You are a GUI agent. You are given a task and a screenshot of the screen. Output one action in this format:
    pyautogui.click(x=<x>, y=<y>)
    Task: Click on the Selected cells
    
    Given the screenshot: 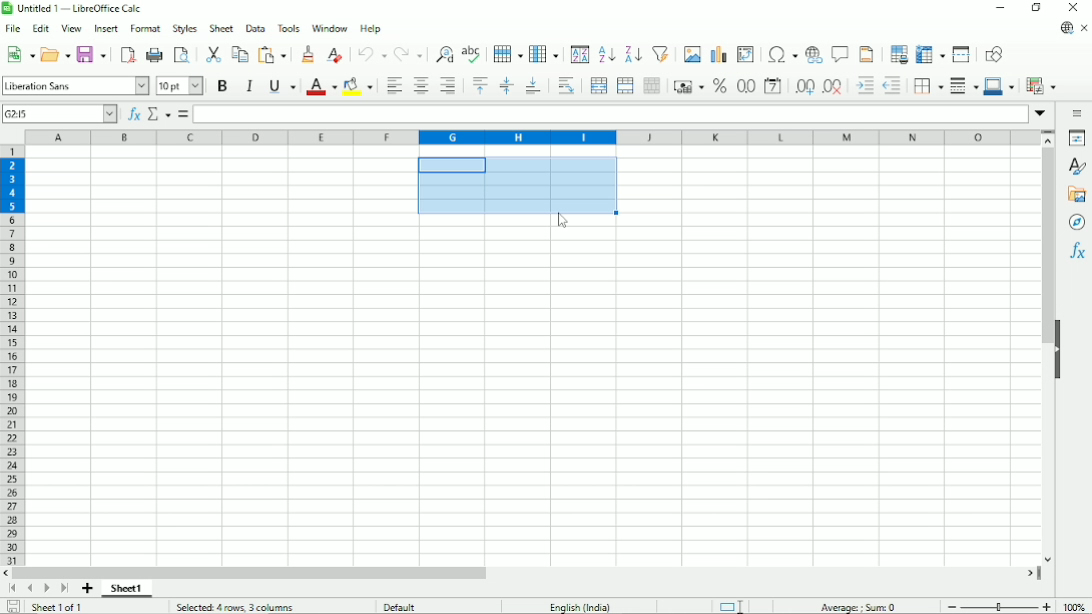 What is the action you would take?
    pyautogui.click(x=515, y=185)
    